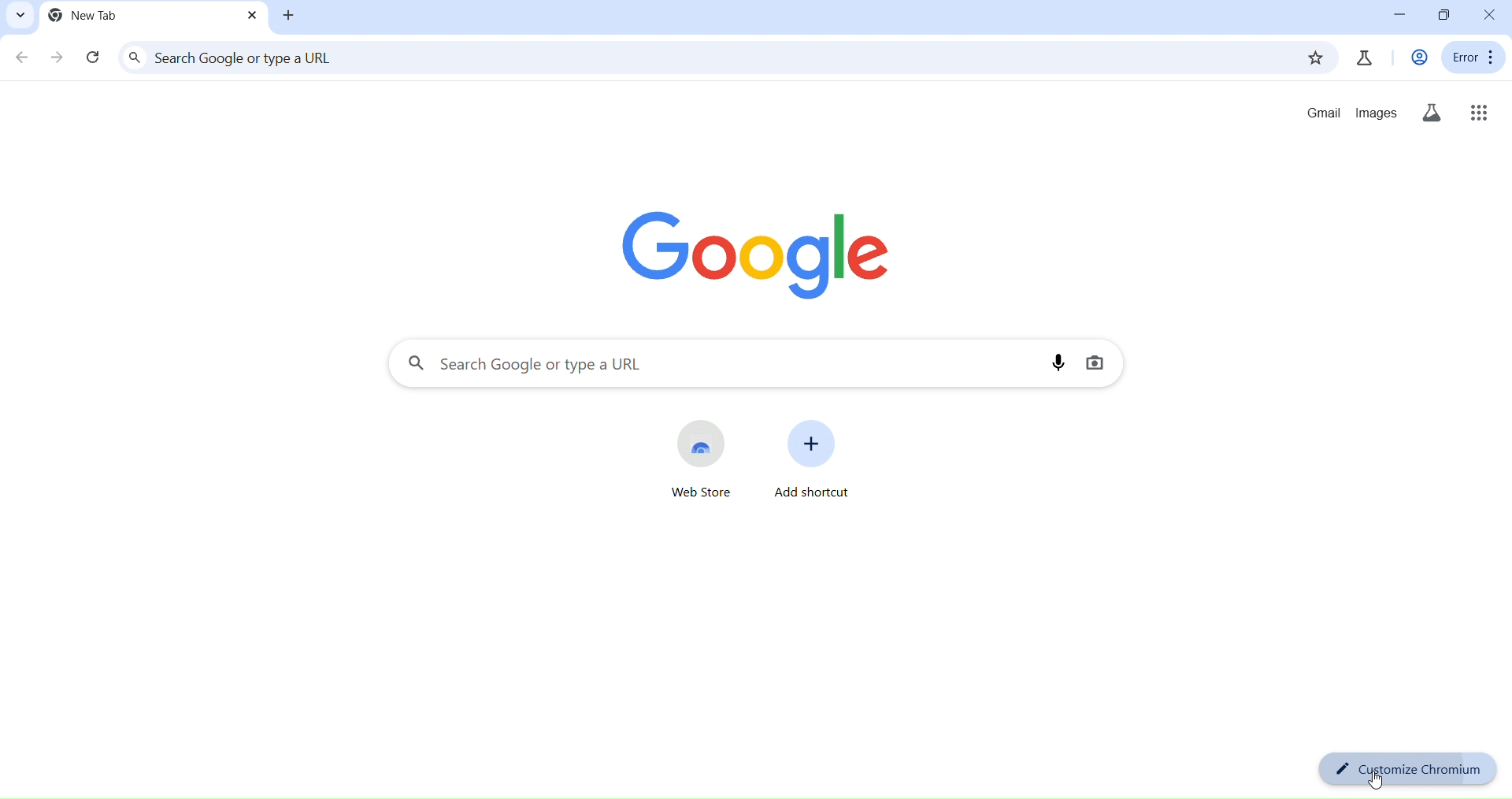  I want to click on add shorcut, so click(813, 456).